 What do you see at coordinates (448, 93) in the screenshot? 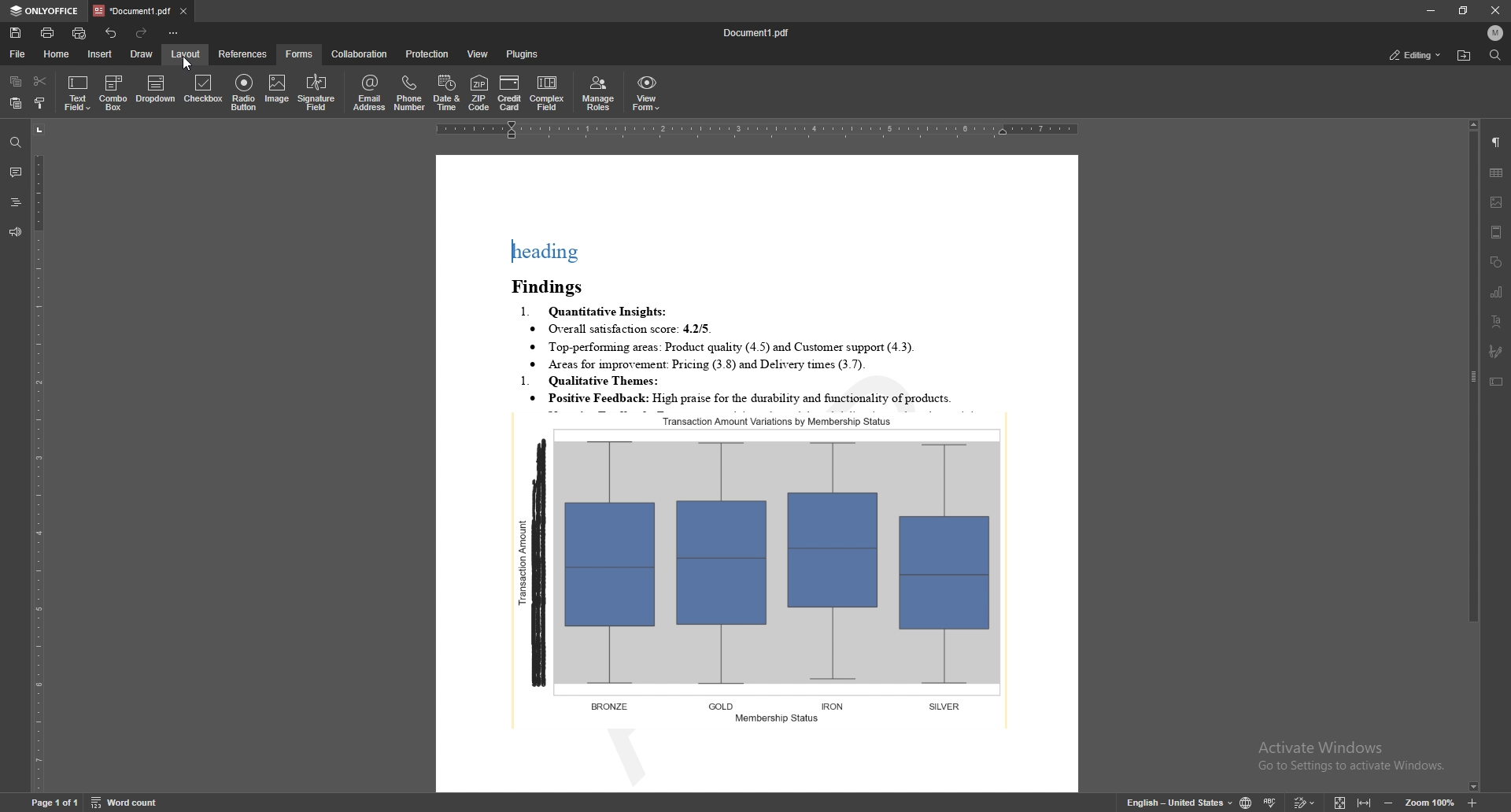
I see `date and time` at bounding box center [448, 93].